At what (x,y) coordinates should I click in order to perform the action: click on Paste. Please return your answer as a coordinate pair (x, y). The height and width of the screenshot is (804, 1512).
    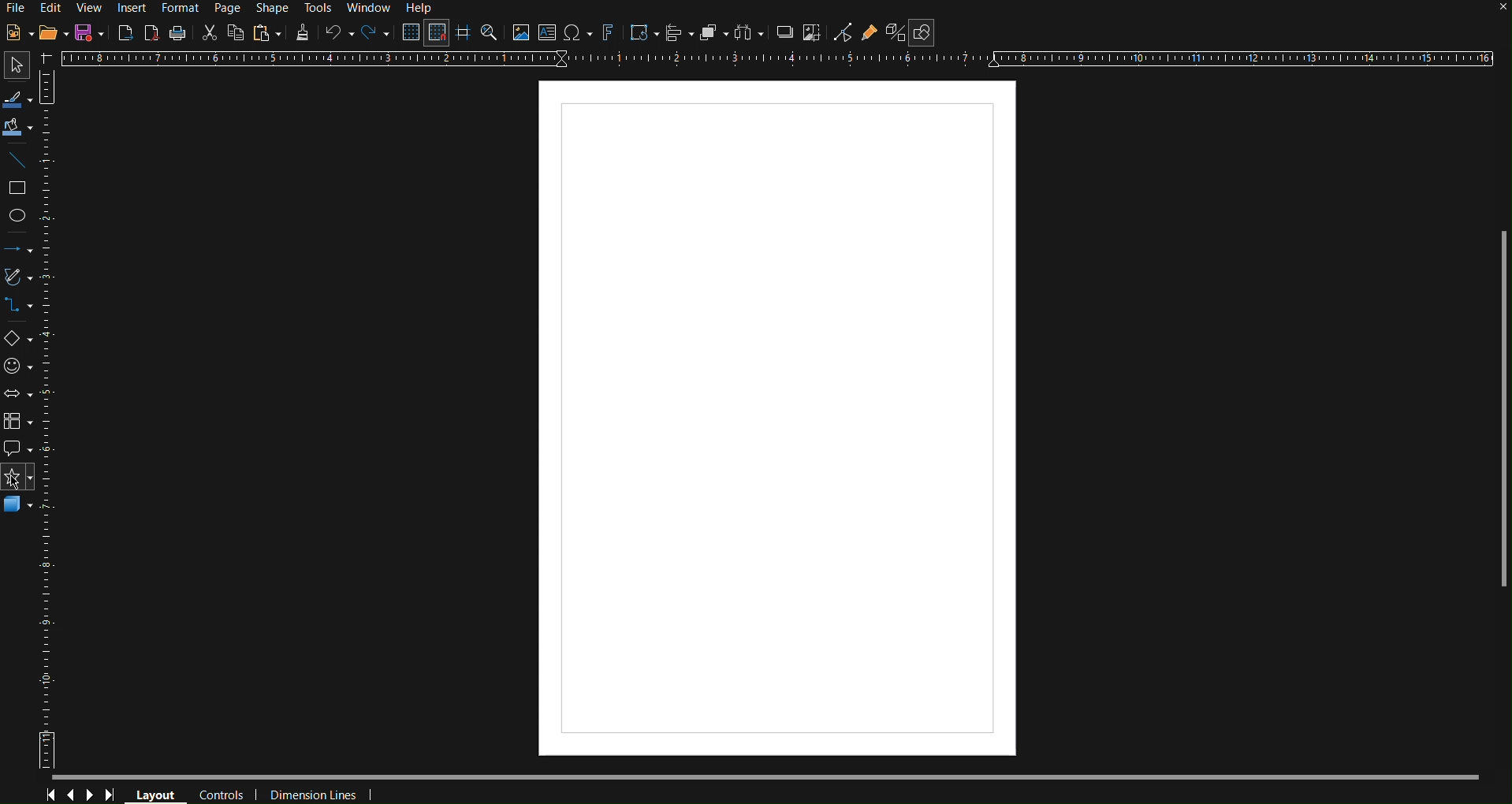
    Looking at the image, I should click on (266, 33).